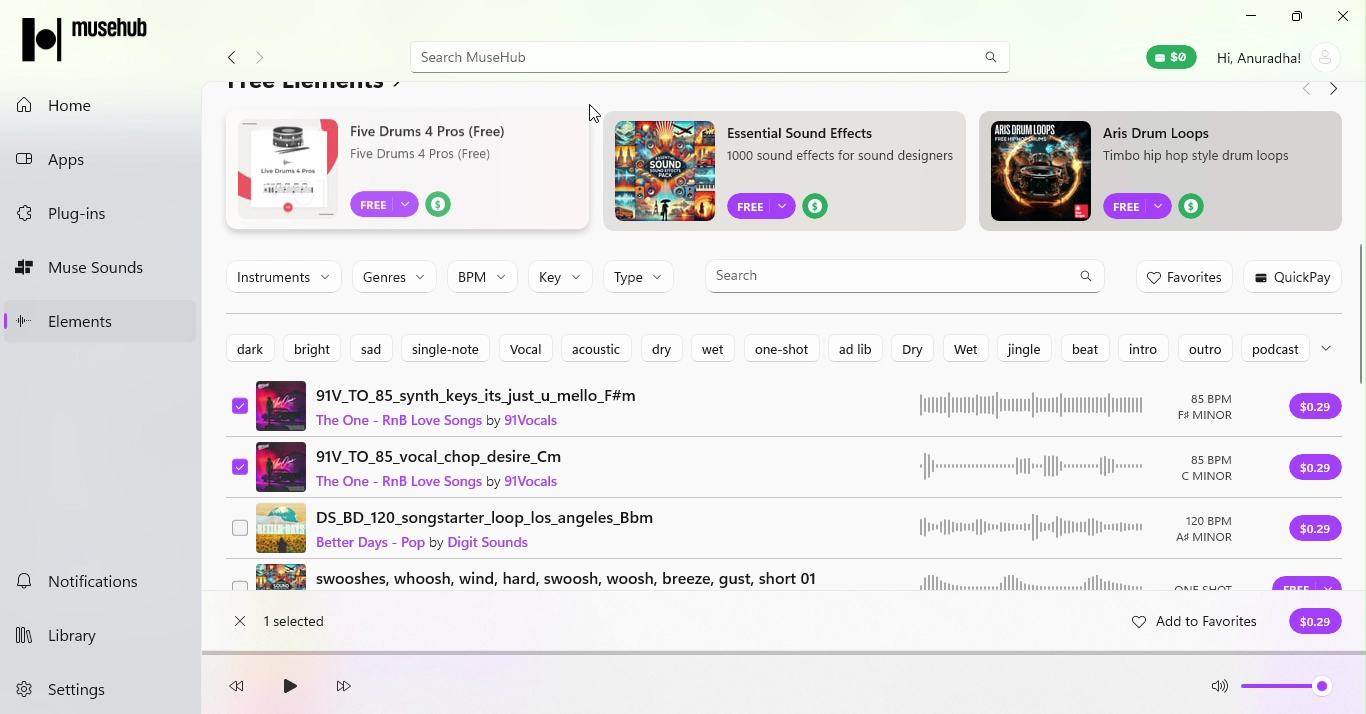 This screenshot has height=714, width=1366. What do you see at coordinates (1246, 17) in the screenshot?
I see `Minimize` at bounding box center [1246, 17].